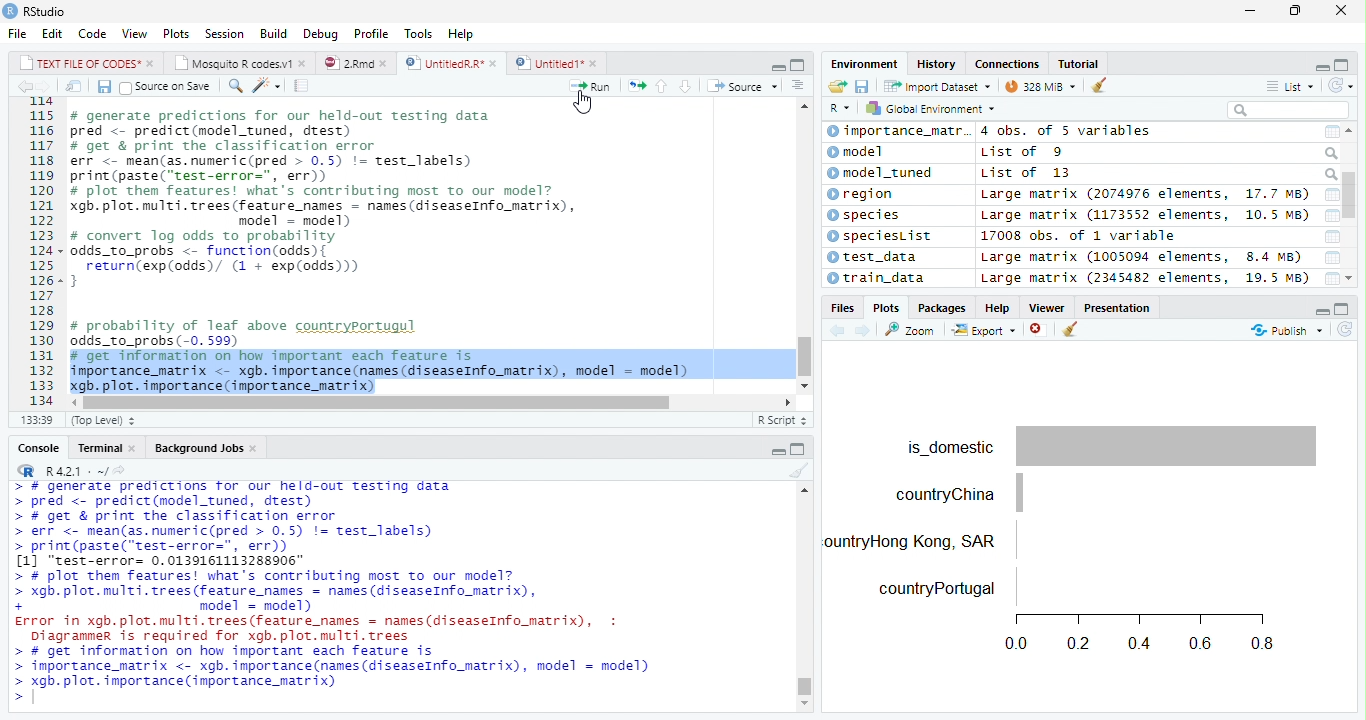  I want to click on 17008 obs. of 1 variable, so click(1082, 236).